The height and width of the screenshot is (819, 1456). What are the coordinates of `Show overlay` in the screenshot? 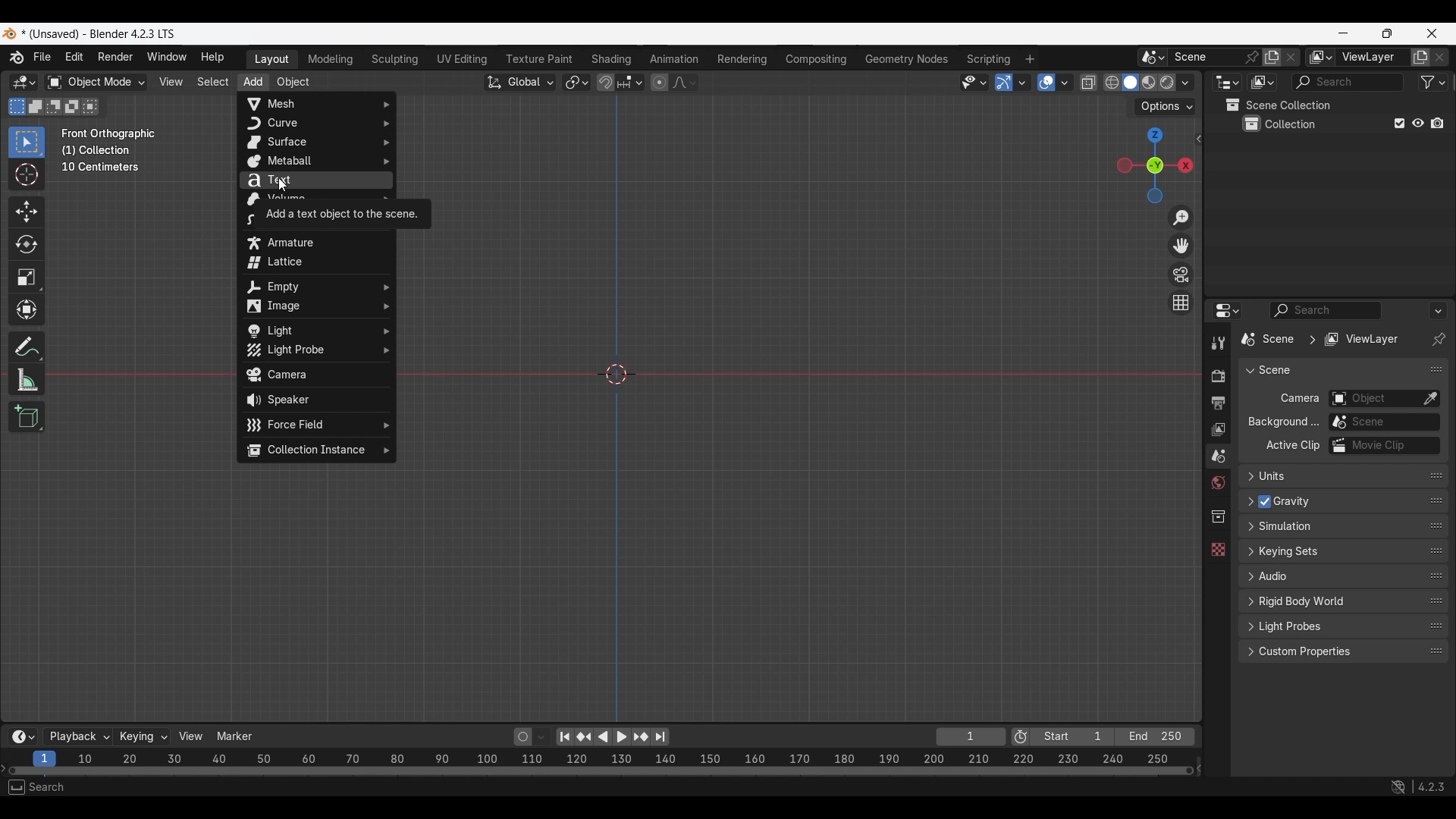 It's located at (1046, 83).